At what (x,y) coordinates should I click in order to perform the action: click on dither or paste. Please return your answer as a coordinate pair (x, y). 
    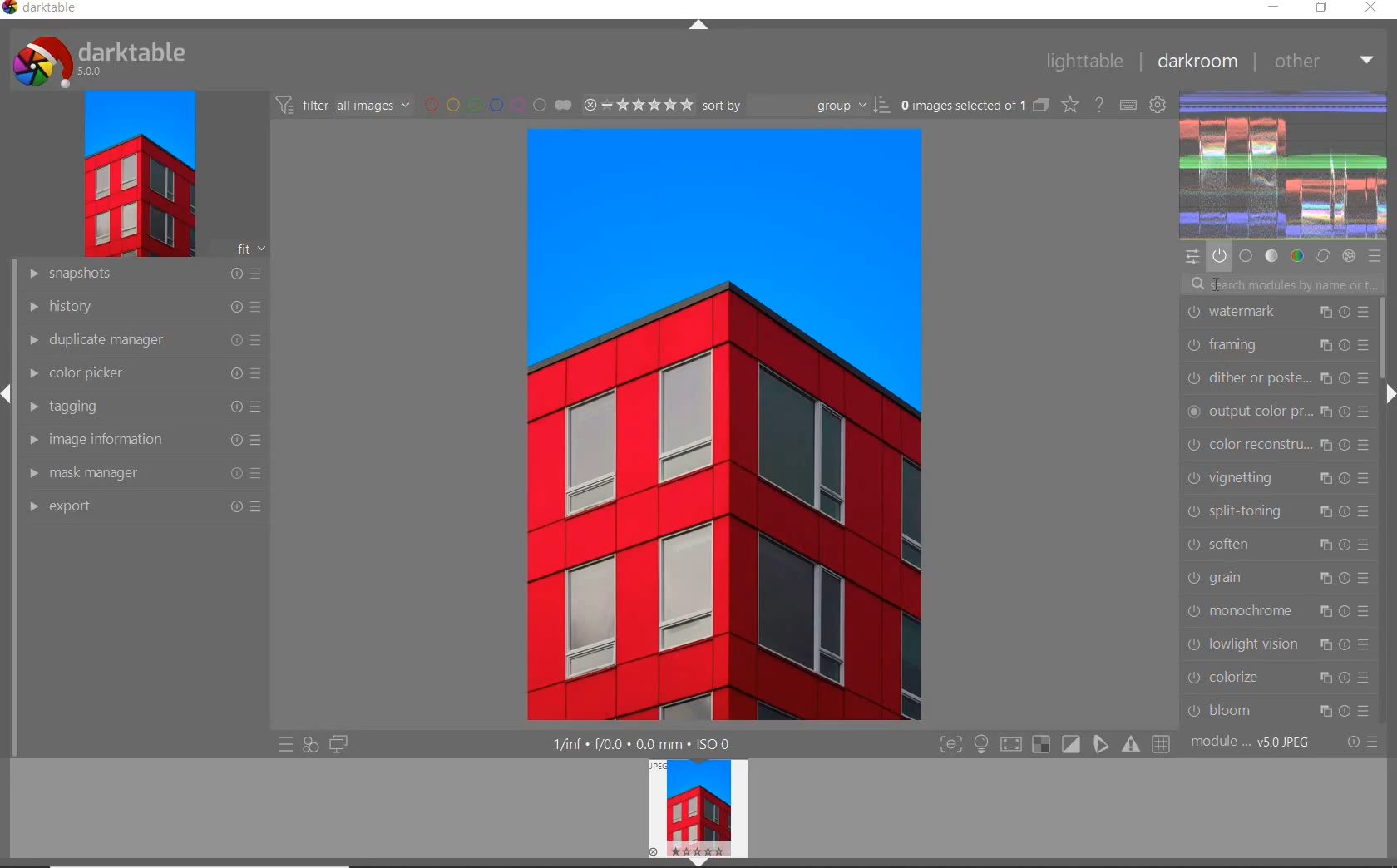
    Looking at the image, I should click on (1275, 377).